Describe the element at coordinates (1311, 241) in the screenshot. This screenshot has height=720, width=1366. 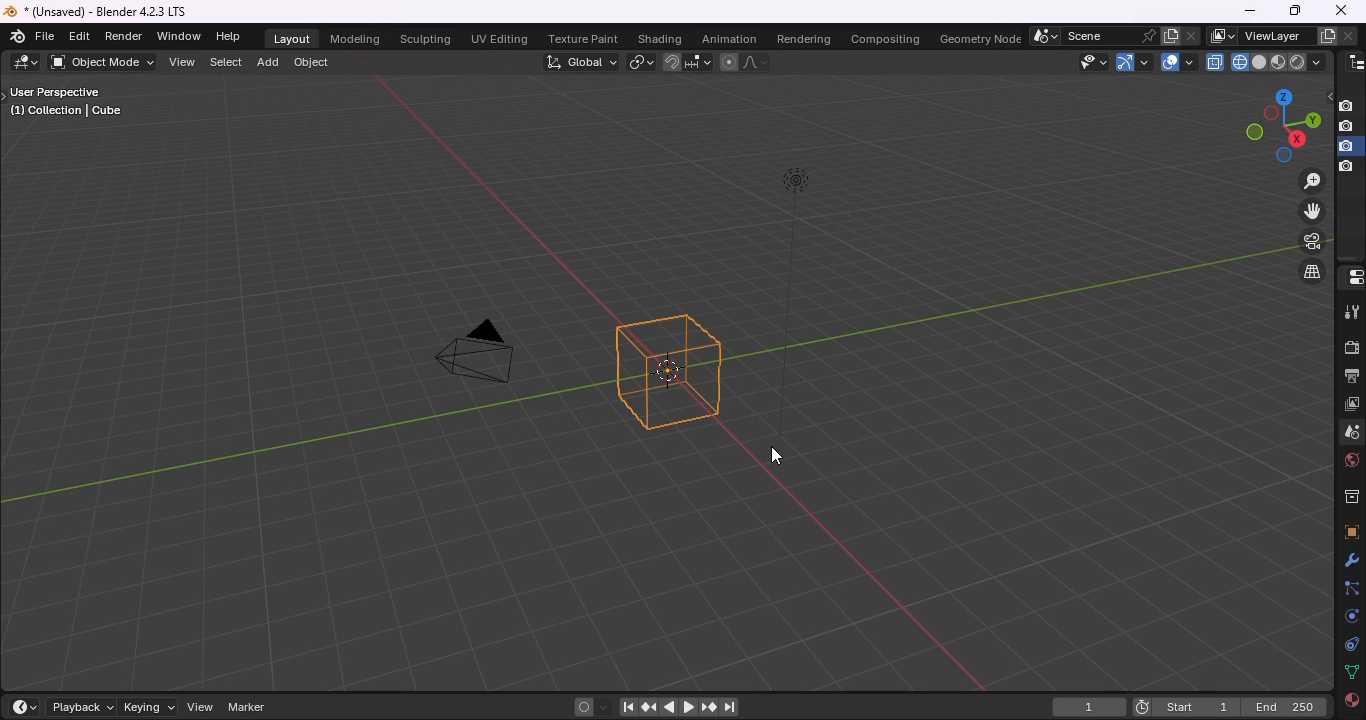
I see `toggle the camera view` at that location.